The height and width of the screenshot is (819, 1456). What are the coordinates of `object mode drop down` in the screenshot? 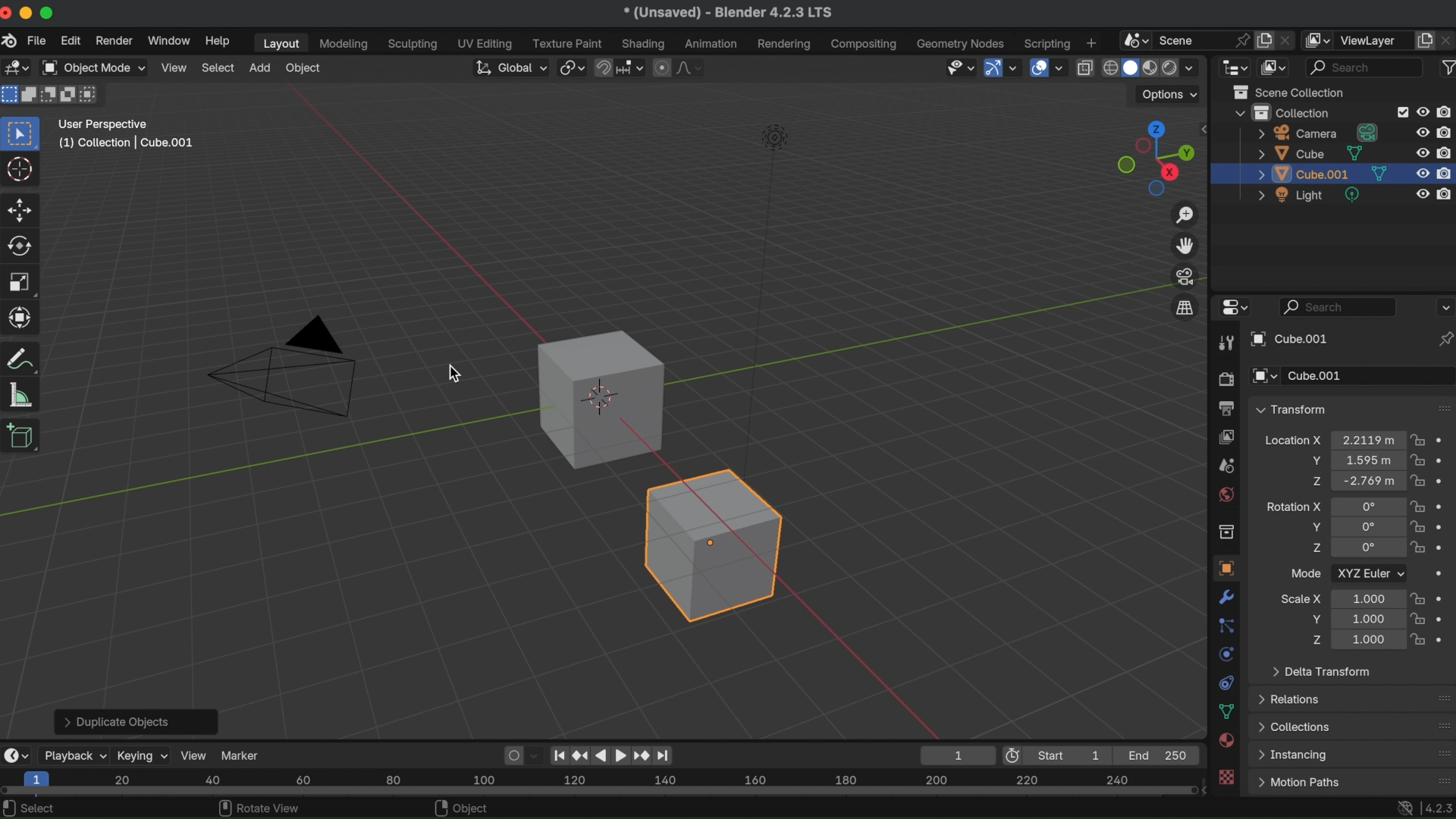 It's located at (93, 68).